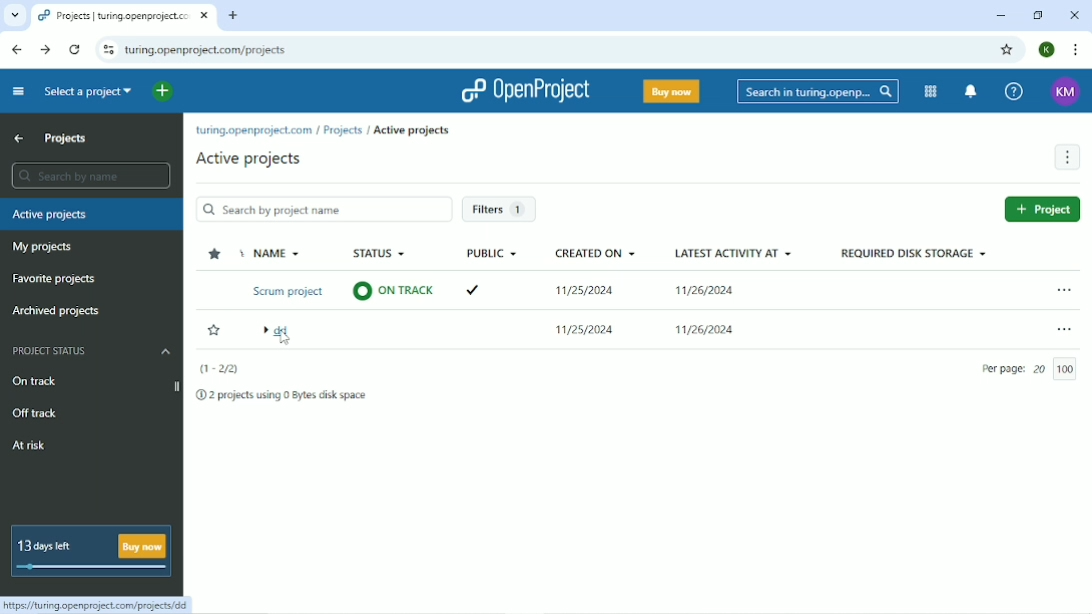 Image resolution: width=1092 pixels, height=614 pixels. Describe the element at coordinates (220, 369) in the screenshot. I see `(1-2/2)` at that location.